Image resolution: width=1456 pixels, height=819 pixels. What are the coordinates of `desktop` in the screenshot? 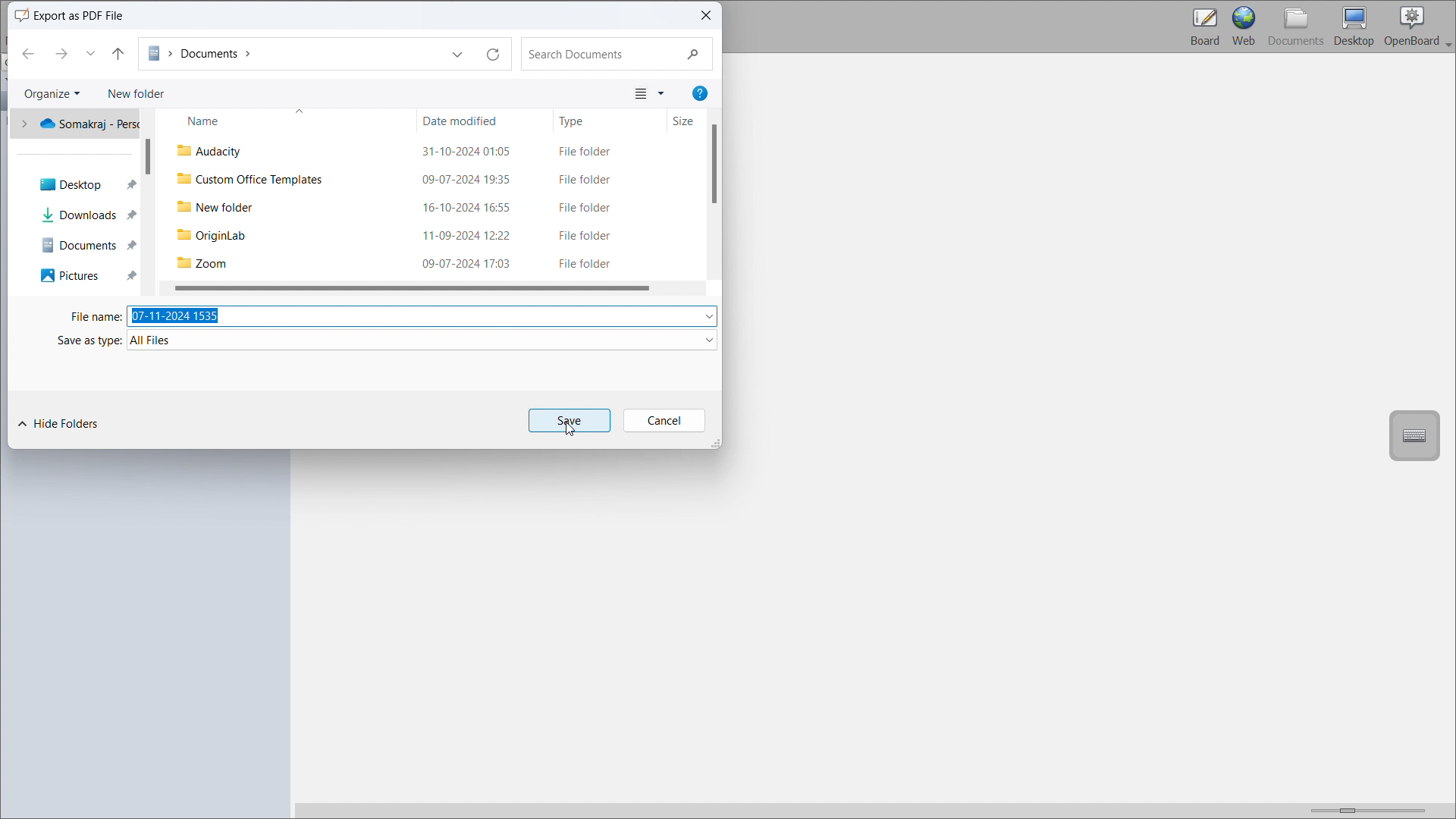 It's located at (1354, 27).